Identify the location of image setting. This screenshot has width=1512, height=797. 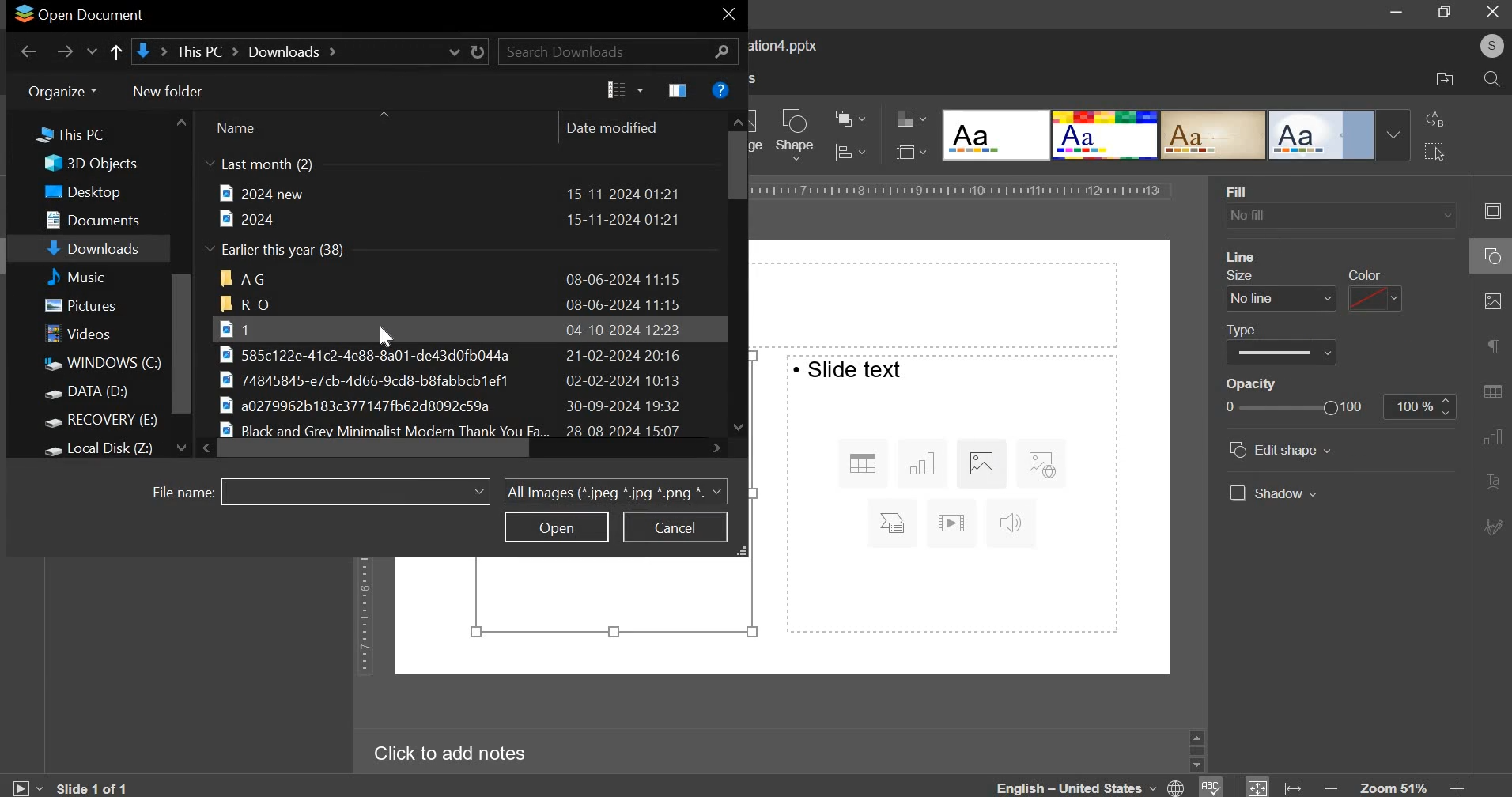
(1490, 301).